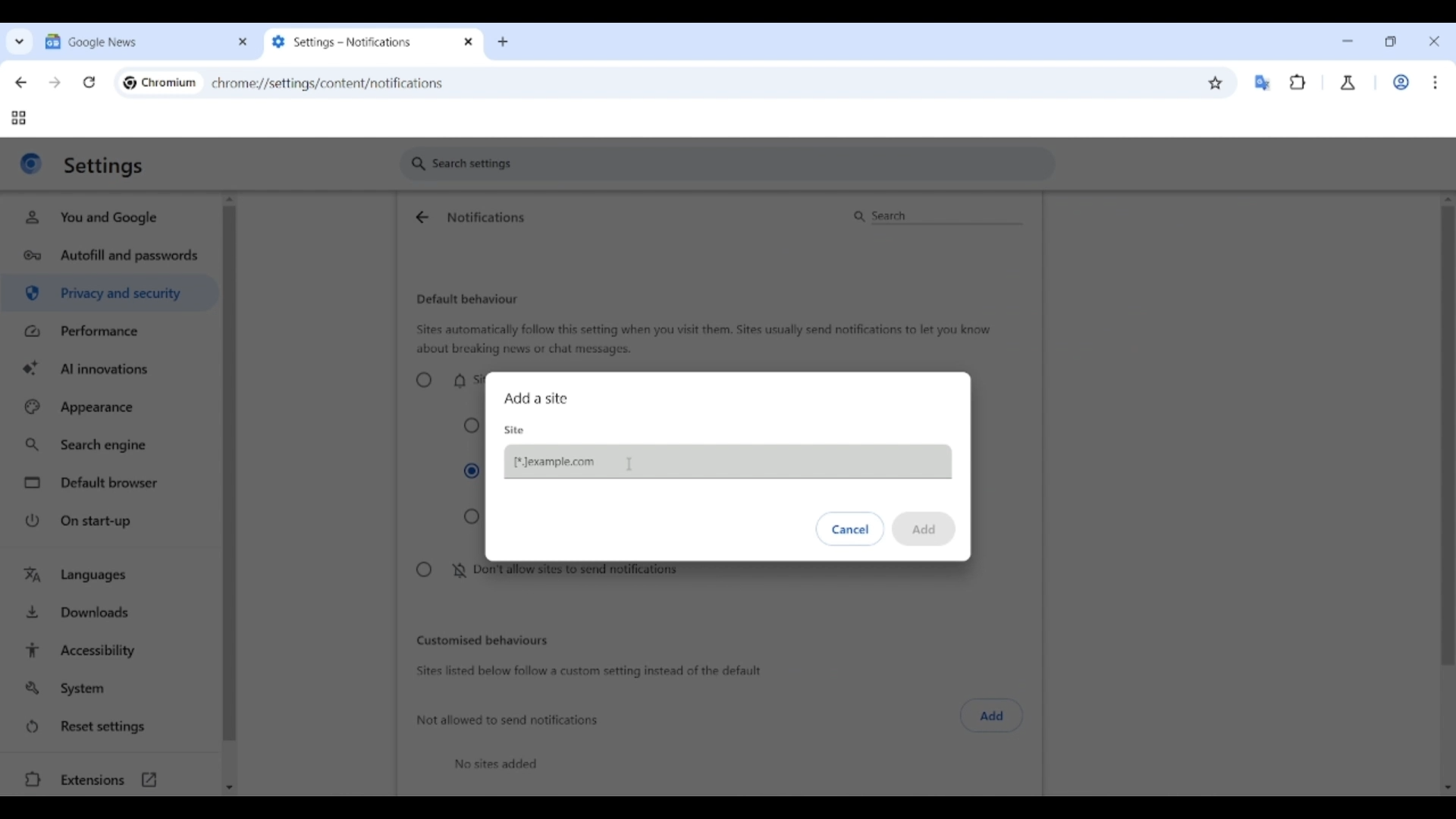  Describe the element at coordinates (1448, 788) in the screenshot. I see `Quick slide to bottom` at that location.